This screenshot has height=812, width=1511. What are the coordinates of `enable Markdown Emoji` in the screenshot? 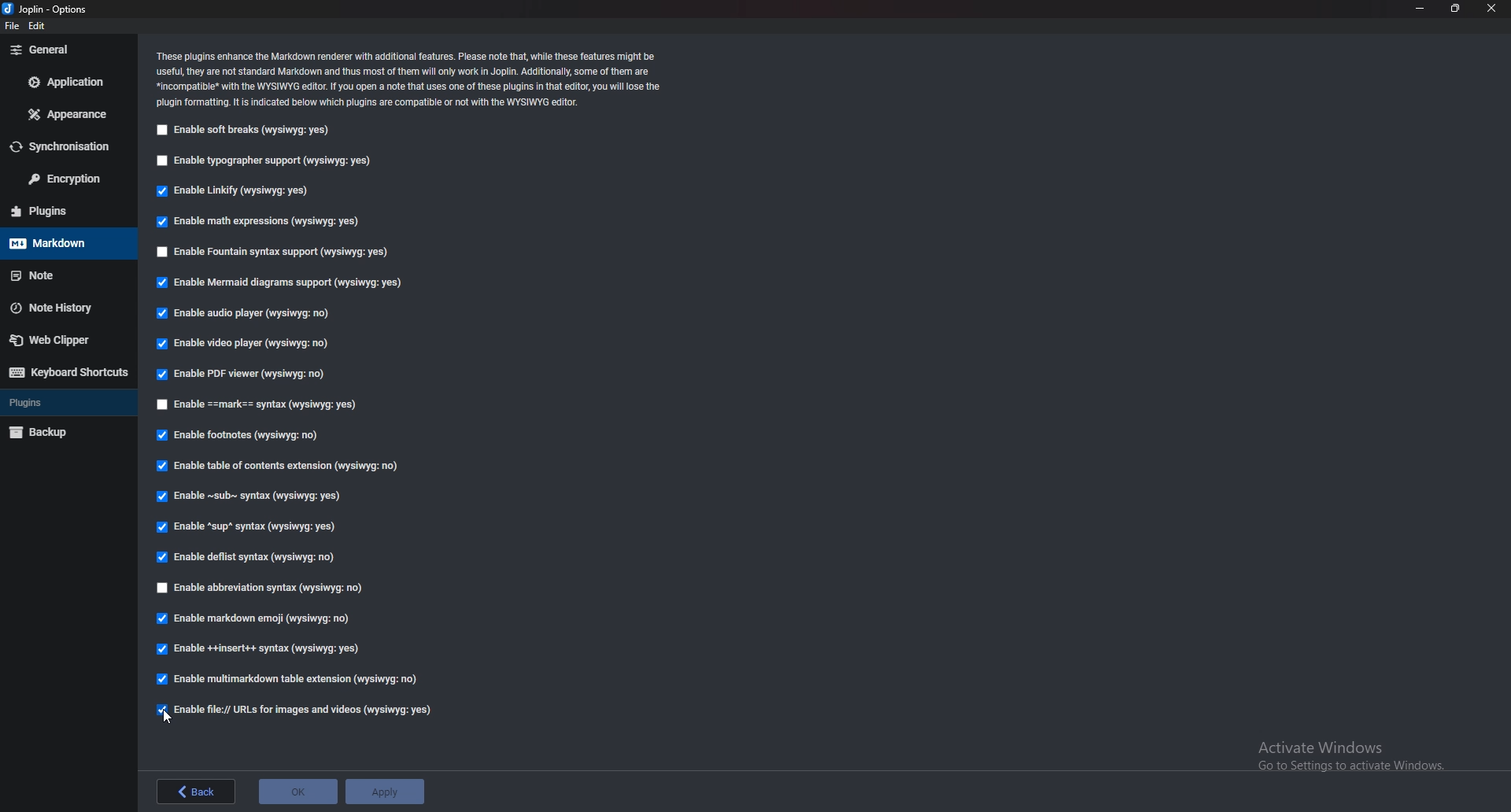 It's located at (256, 619).